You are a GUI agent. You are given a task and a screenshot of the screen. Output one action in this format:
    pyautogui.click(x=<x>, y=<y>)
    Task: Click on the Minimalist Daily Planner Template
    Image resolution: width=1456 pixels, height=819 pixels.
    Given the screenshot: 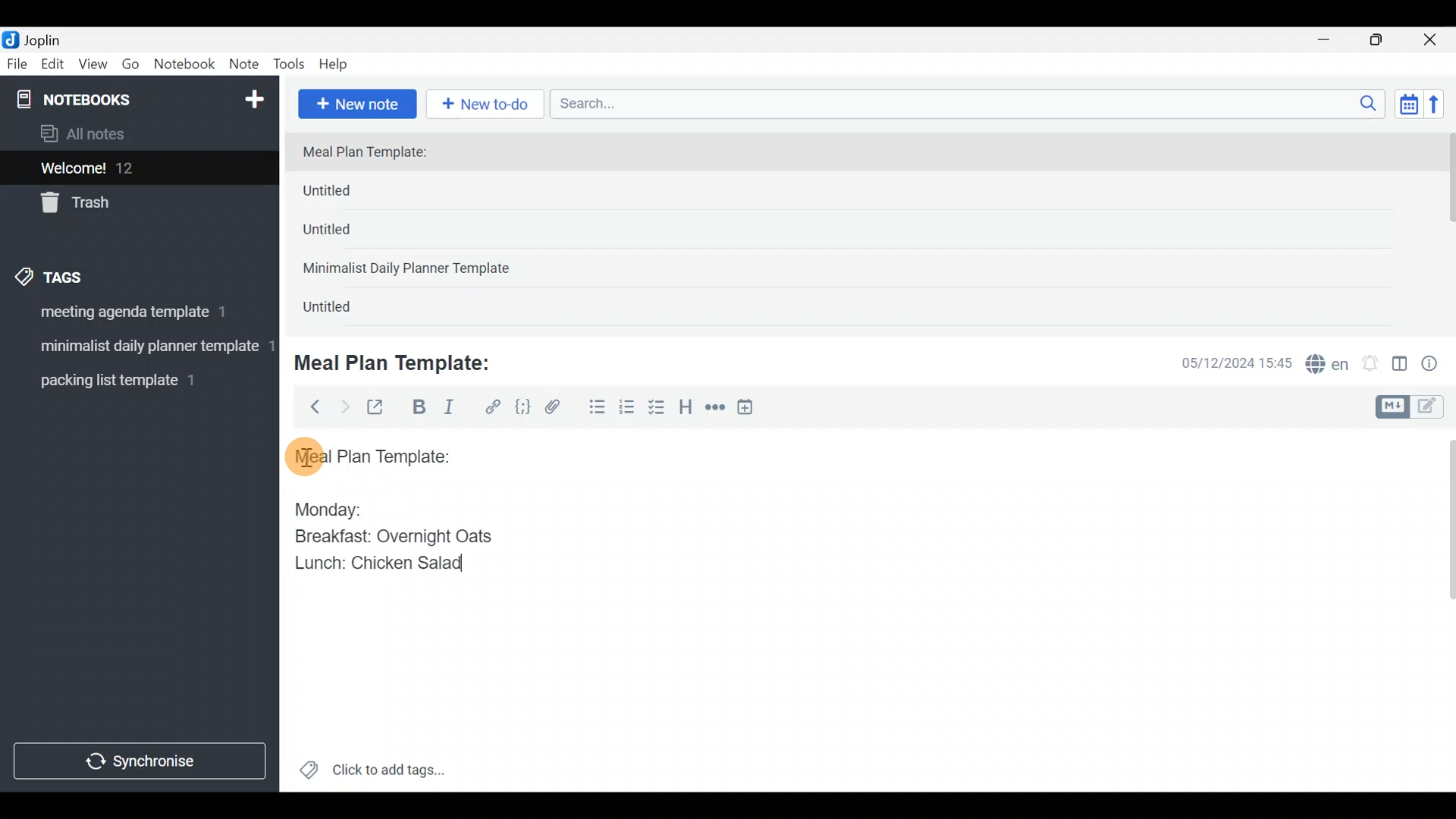 What is the action you would take?
    pyautogui.click(x=411, y=270)
    